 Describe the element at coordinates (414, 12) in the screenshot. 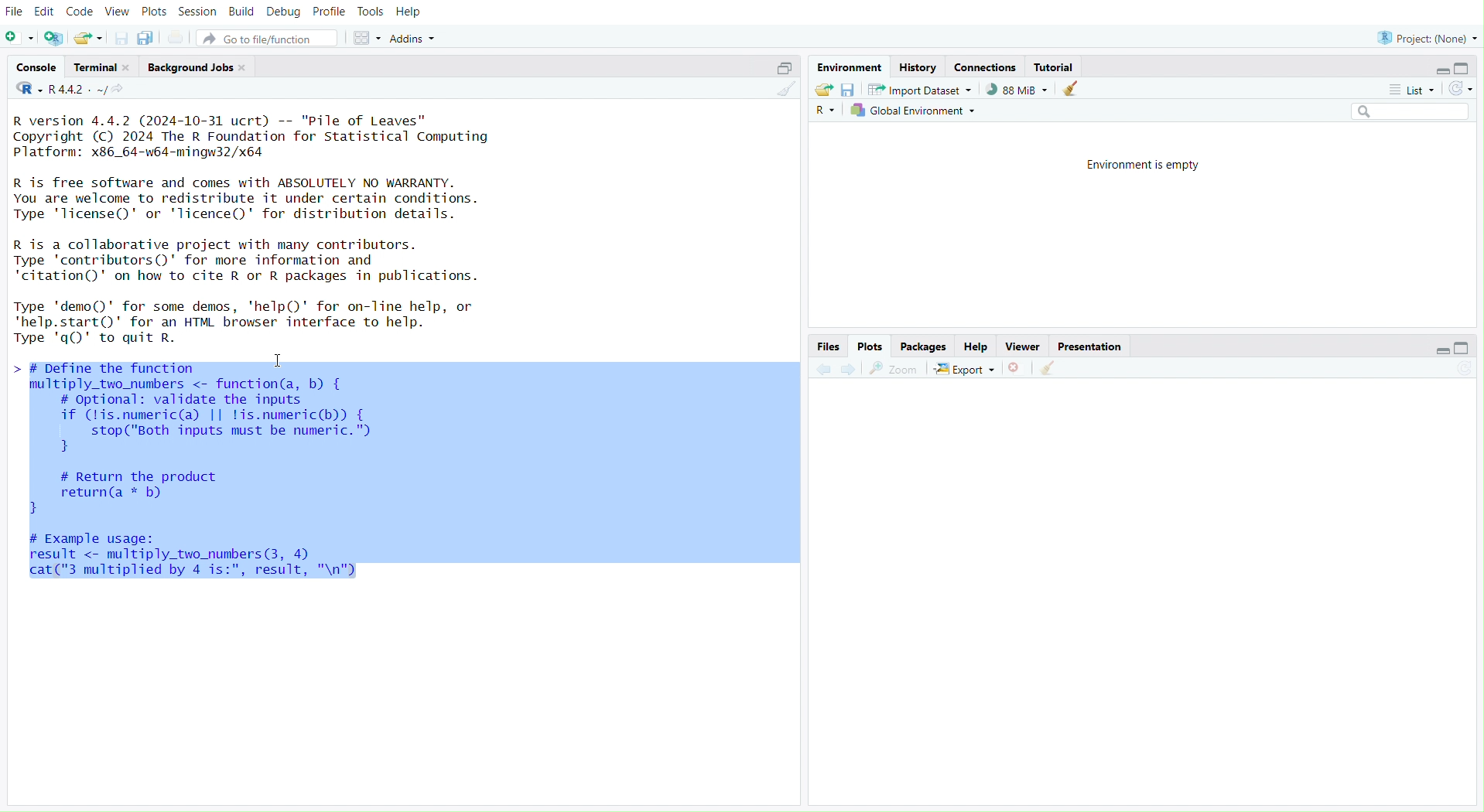

I see `Help` at that location.